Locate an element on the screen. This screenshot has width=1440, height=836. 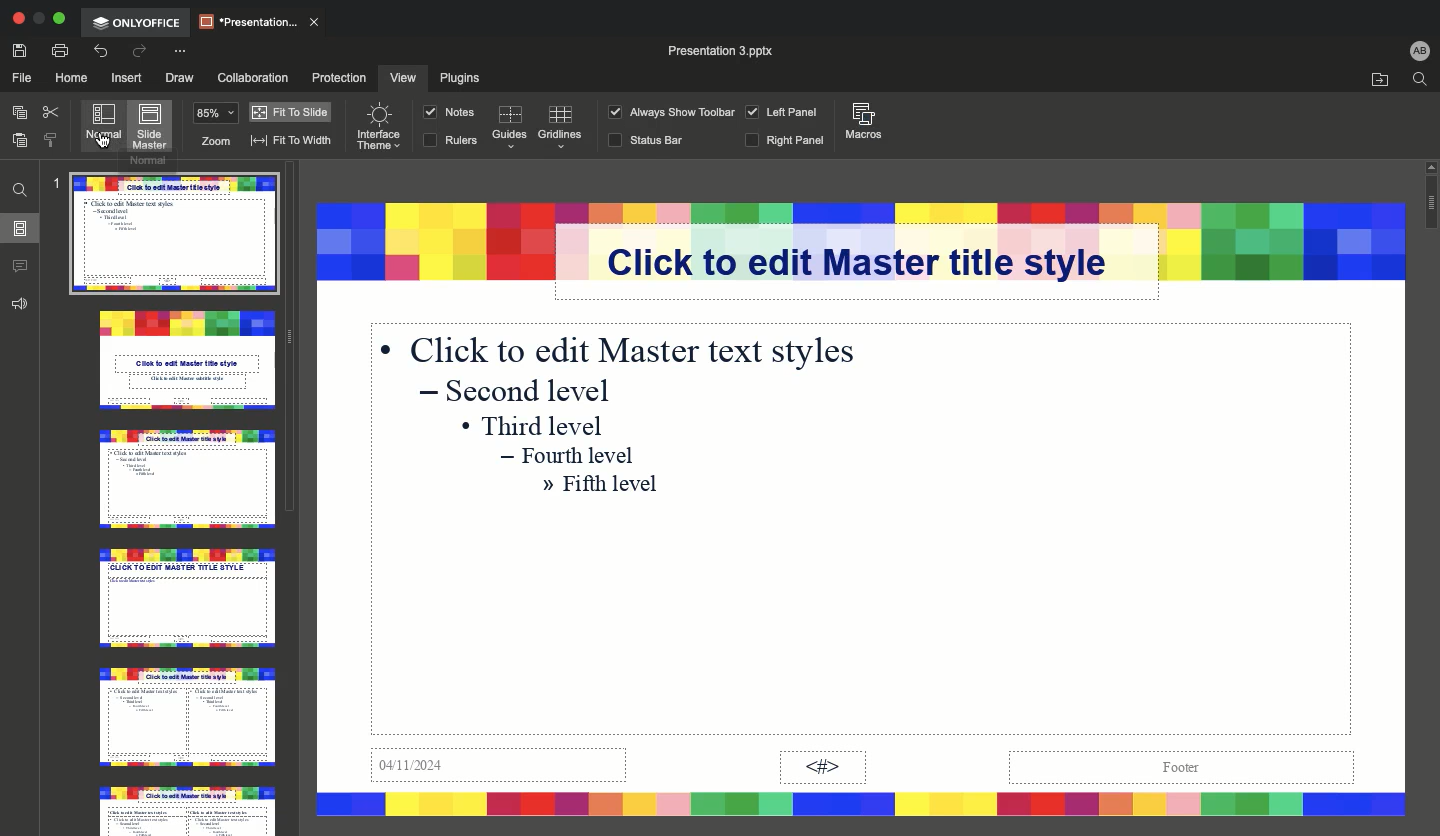
Home is located at coordinates (69, 78).